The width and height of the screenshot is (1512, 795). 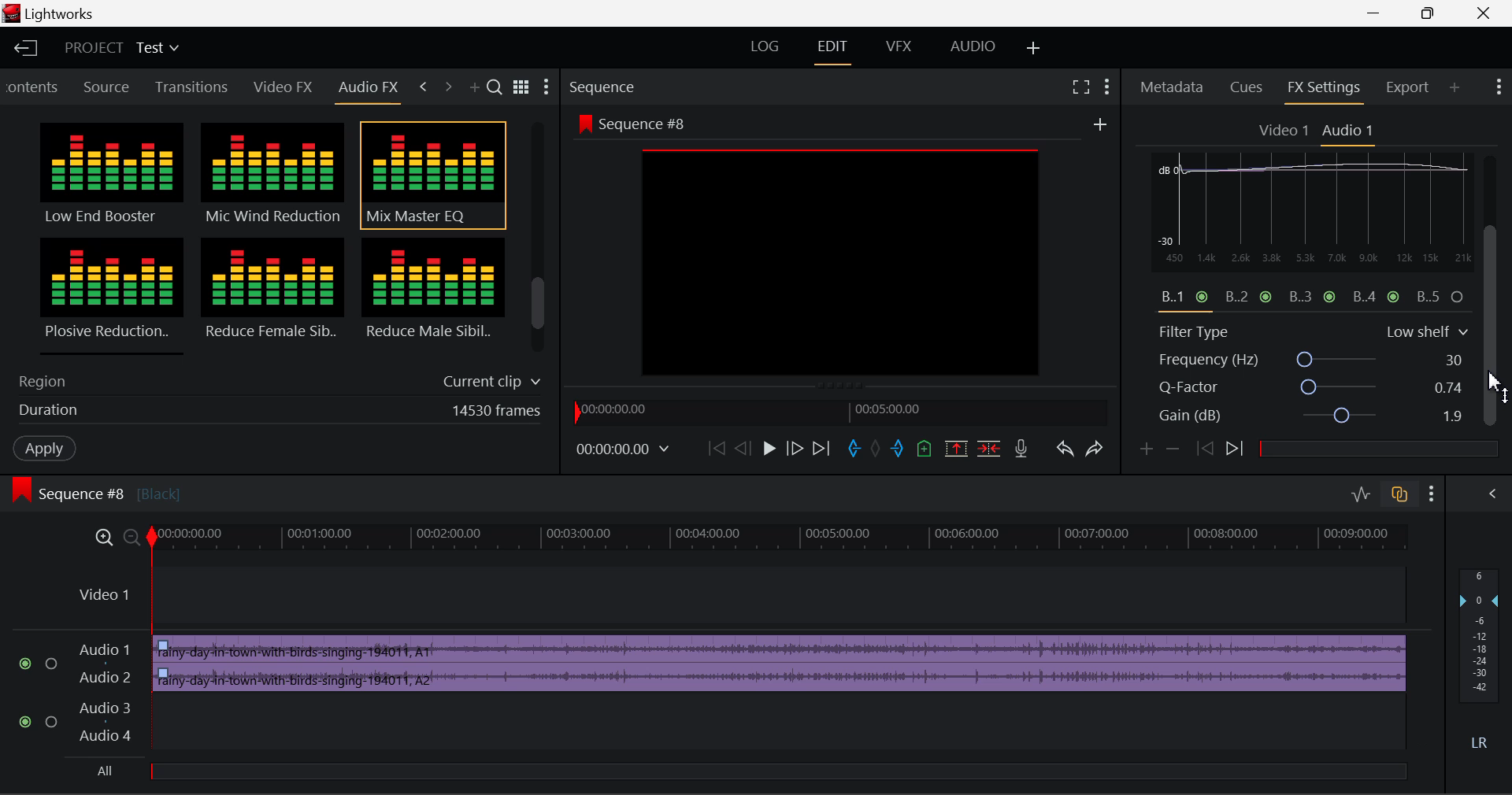 I want to click on Contents, so click(x=34, y=85).